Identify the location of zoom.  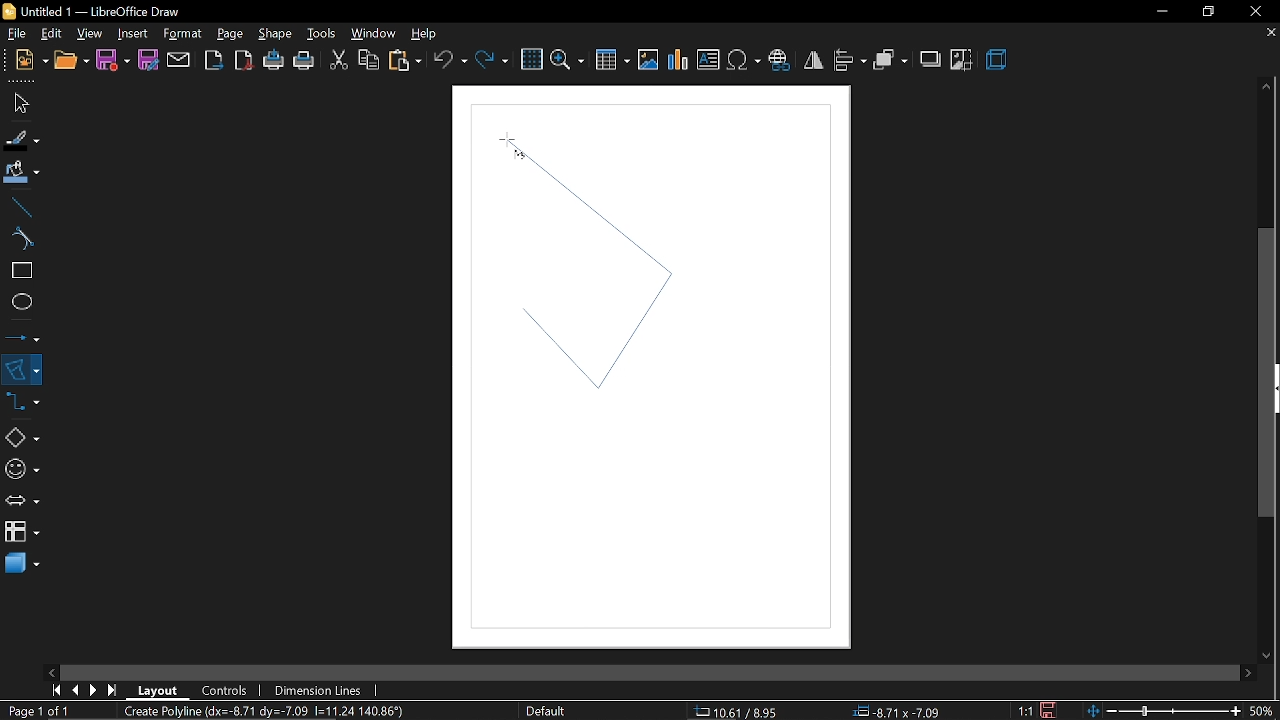
(569, 58).